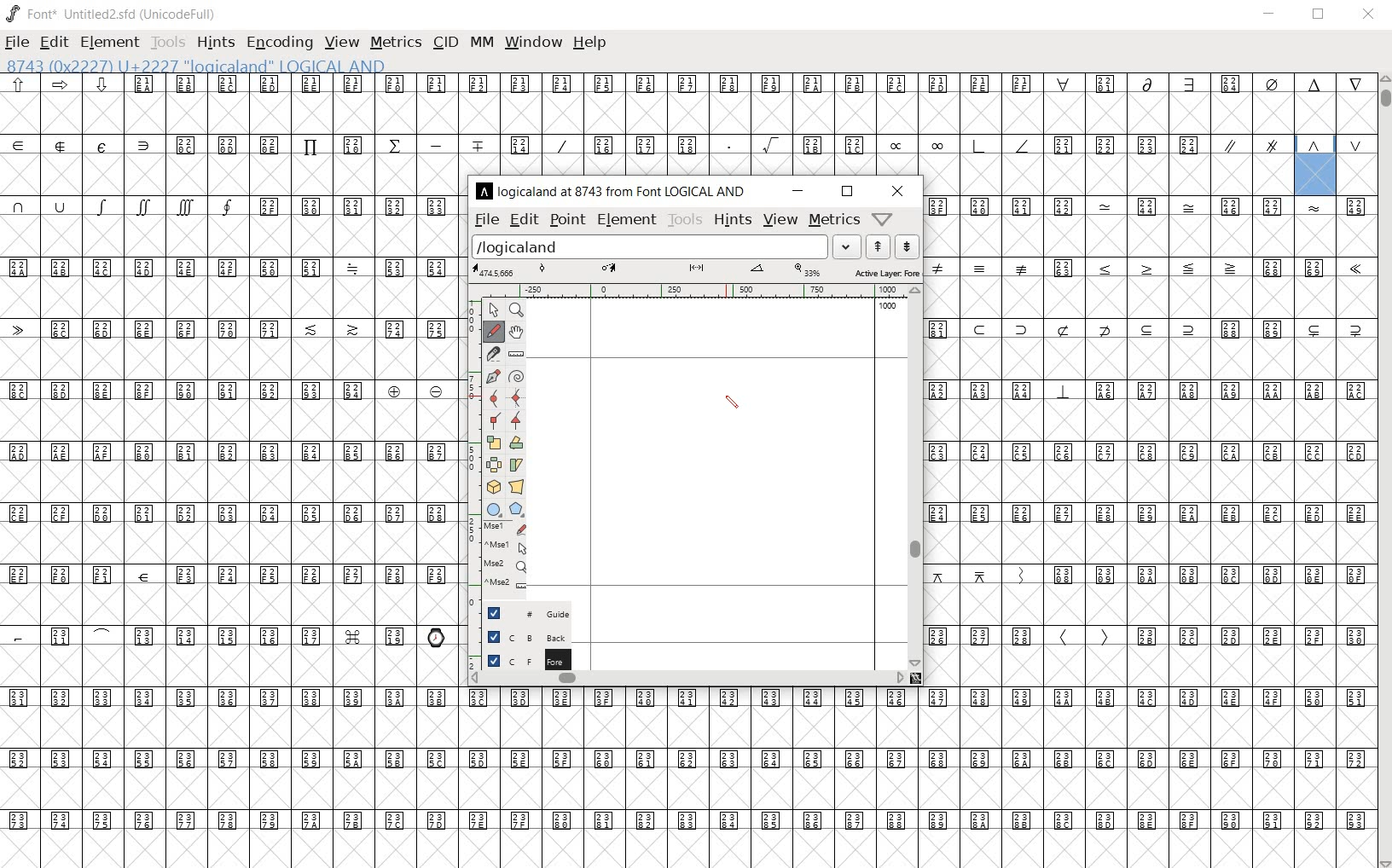  I want to click on restore, so click(848, 192).